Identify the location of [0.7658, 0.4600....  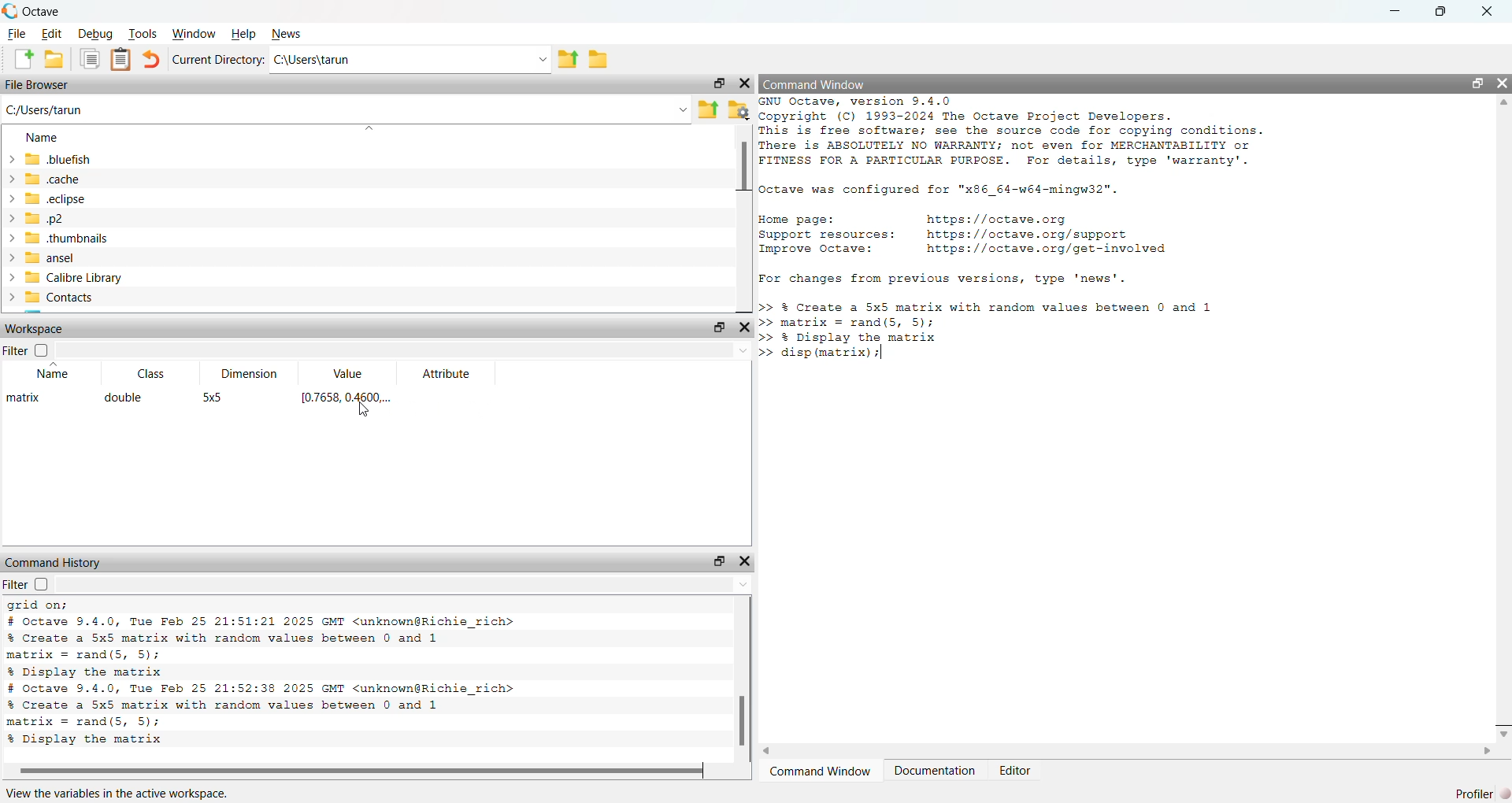
(350, 398).